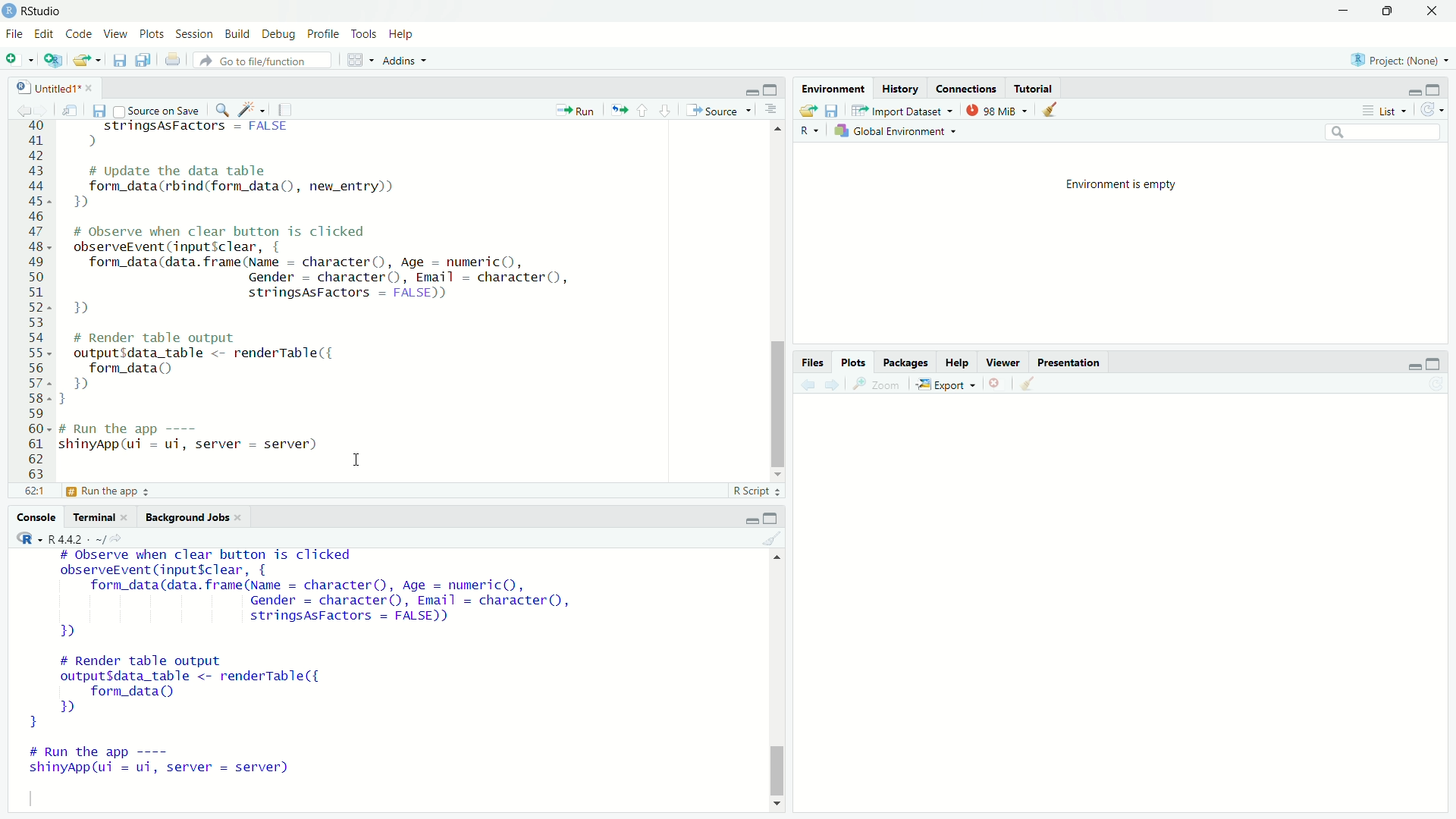 The image size is (1456, 819). Describe the element at coordinates (199, 438) in the screenshot. I see `code to run the app` at that location.